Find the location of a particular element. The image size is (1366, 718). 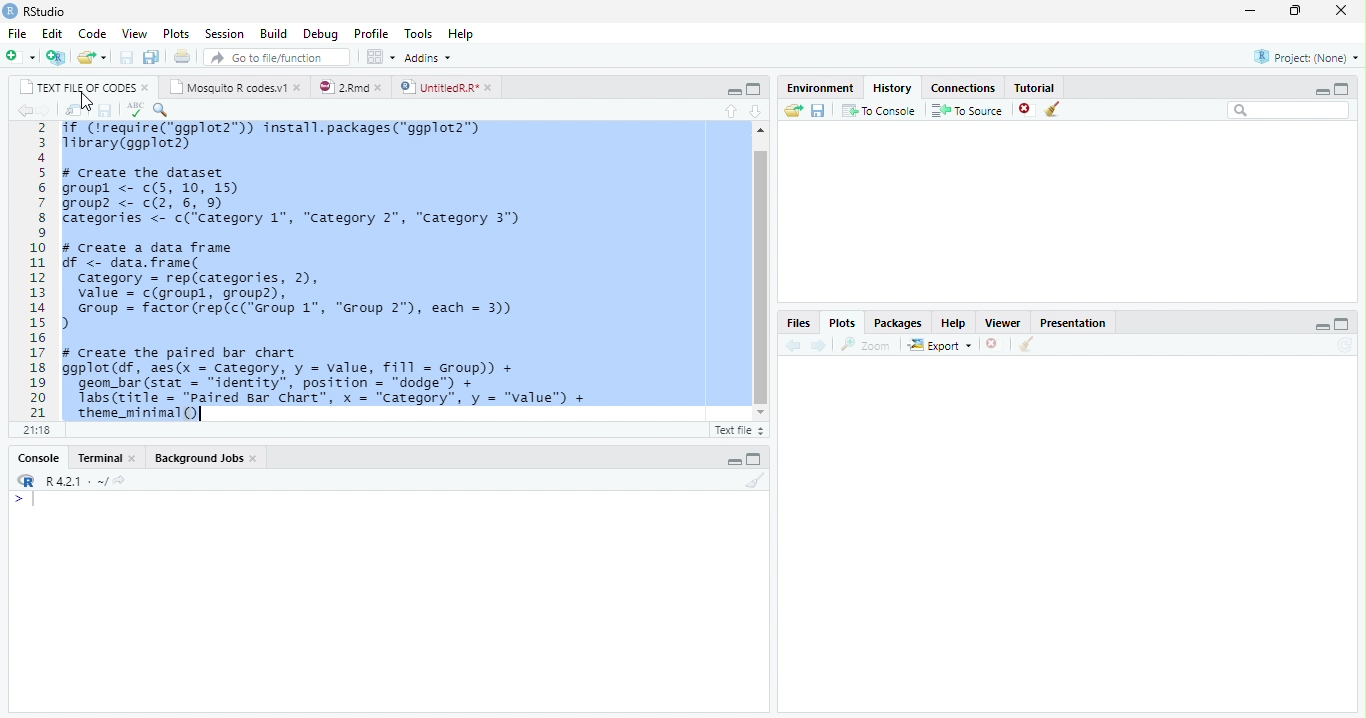

minimize is located at coordinates (733, 90).